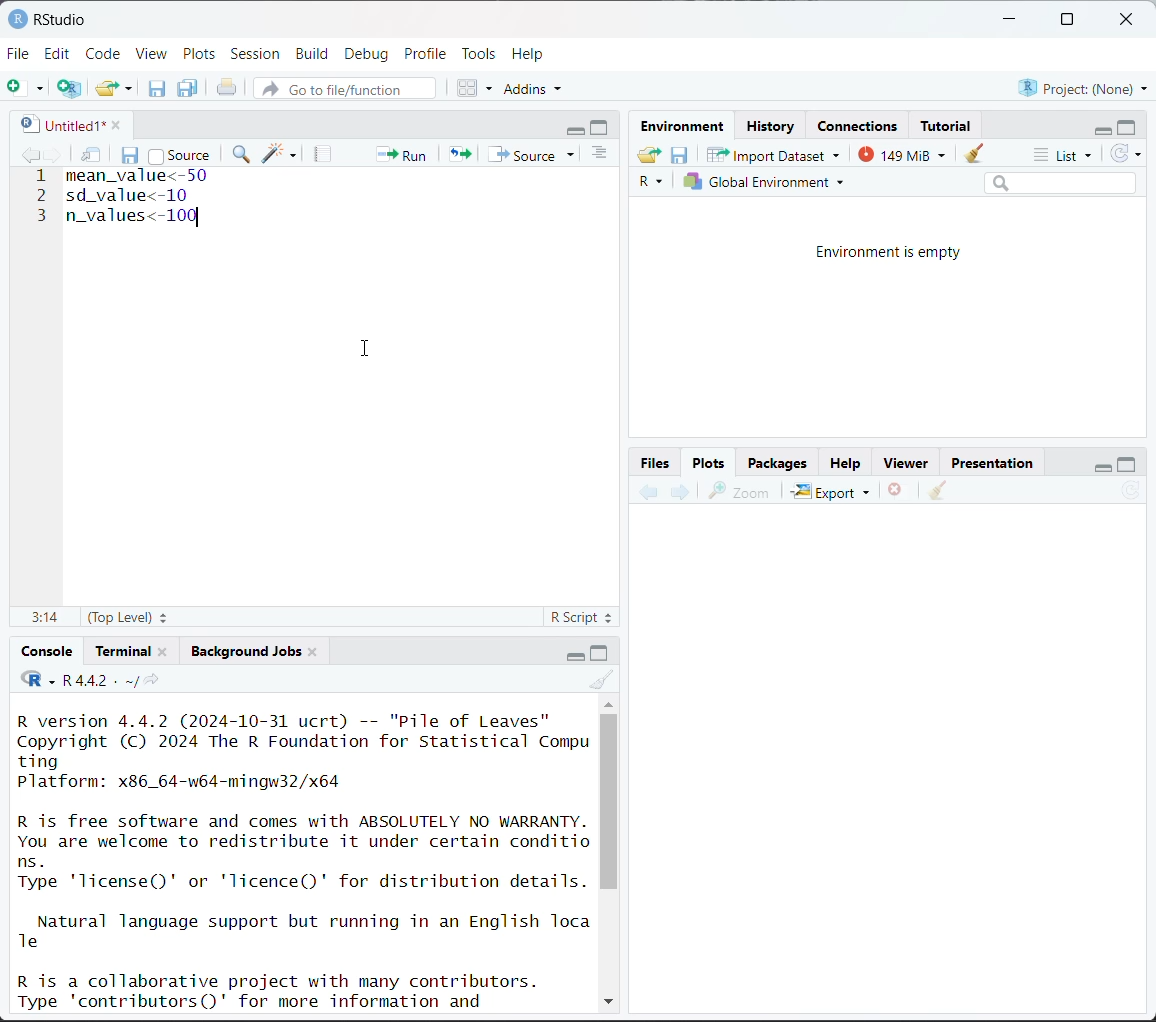 The height and width of the screenshot is (1022, 1156). What do you see at coordinates (93, 156) in the screenshot?
I see `show in new window` at bounding box center [93, 156].